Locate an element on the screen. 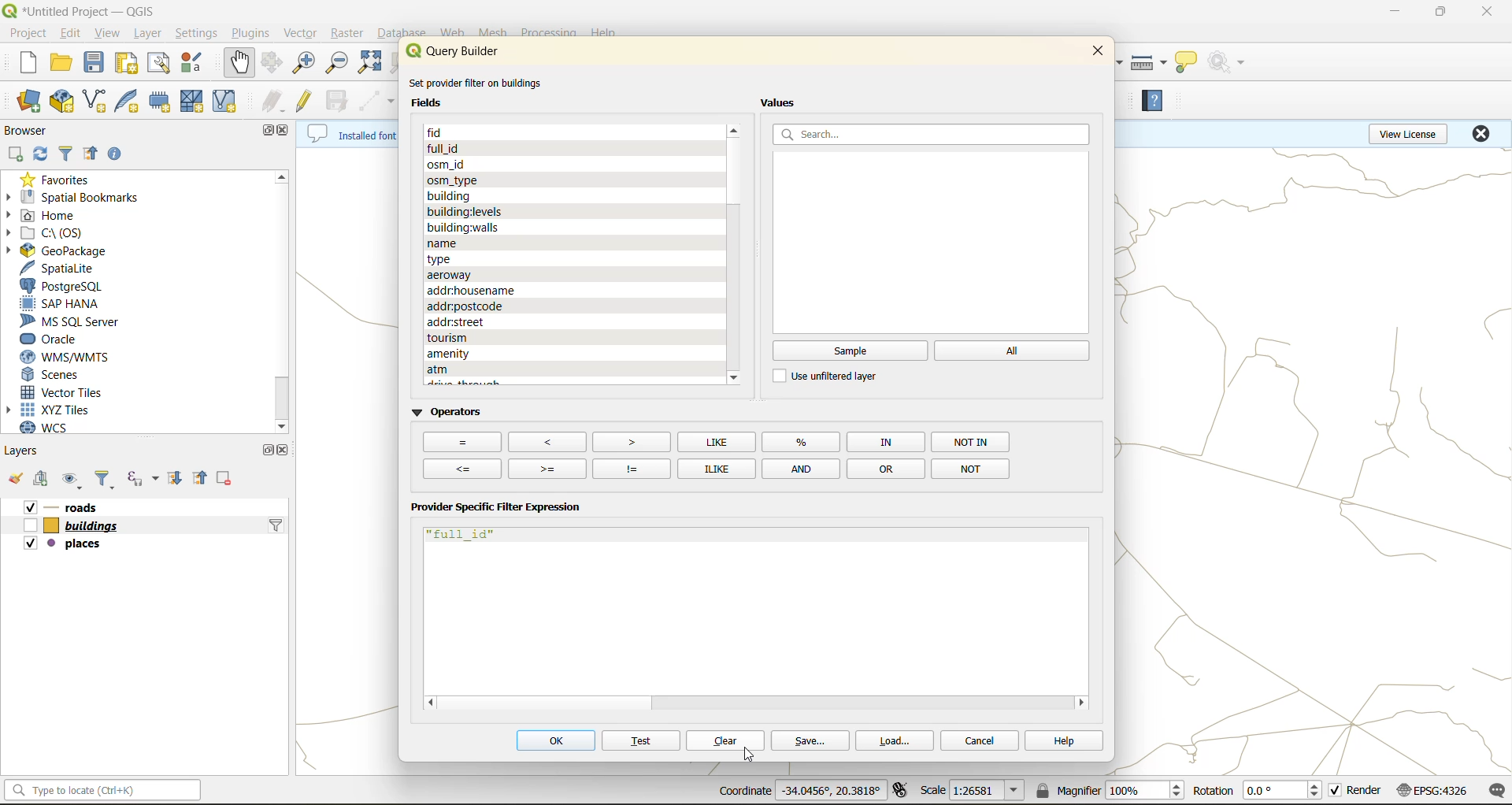 The image size is (1512, 805). search is located at coordinates (934, 134).